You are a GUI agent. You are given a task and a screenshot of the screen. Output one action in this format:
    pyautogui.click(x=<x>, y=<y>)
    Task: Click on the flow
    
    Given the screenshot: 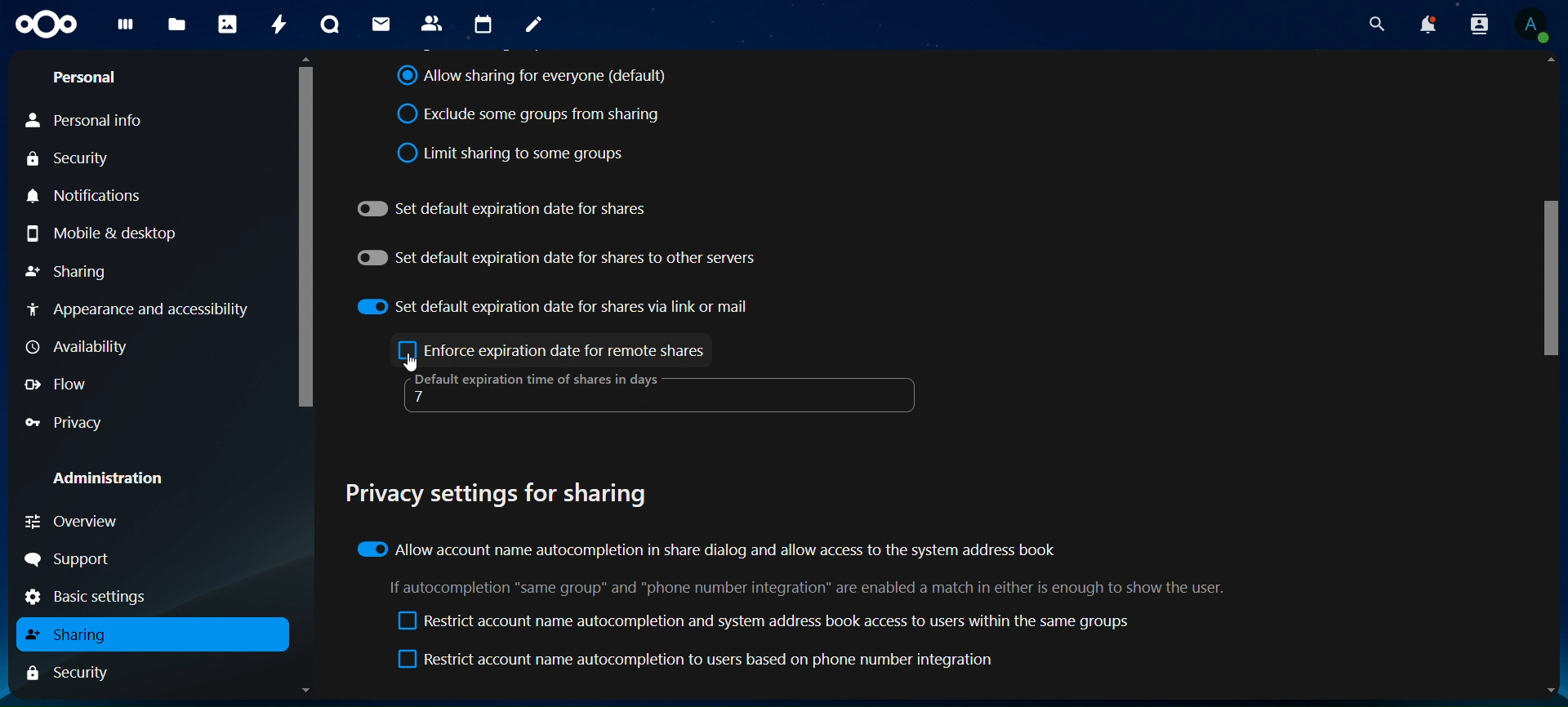 What is the action you would take?
    pyautogui.click(x=56, y=384)
    